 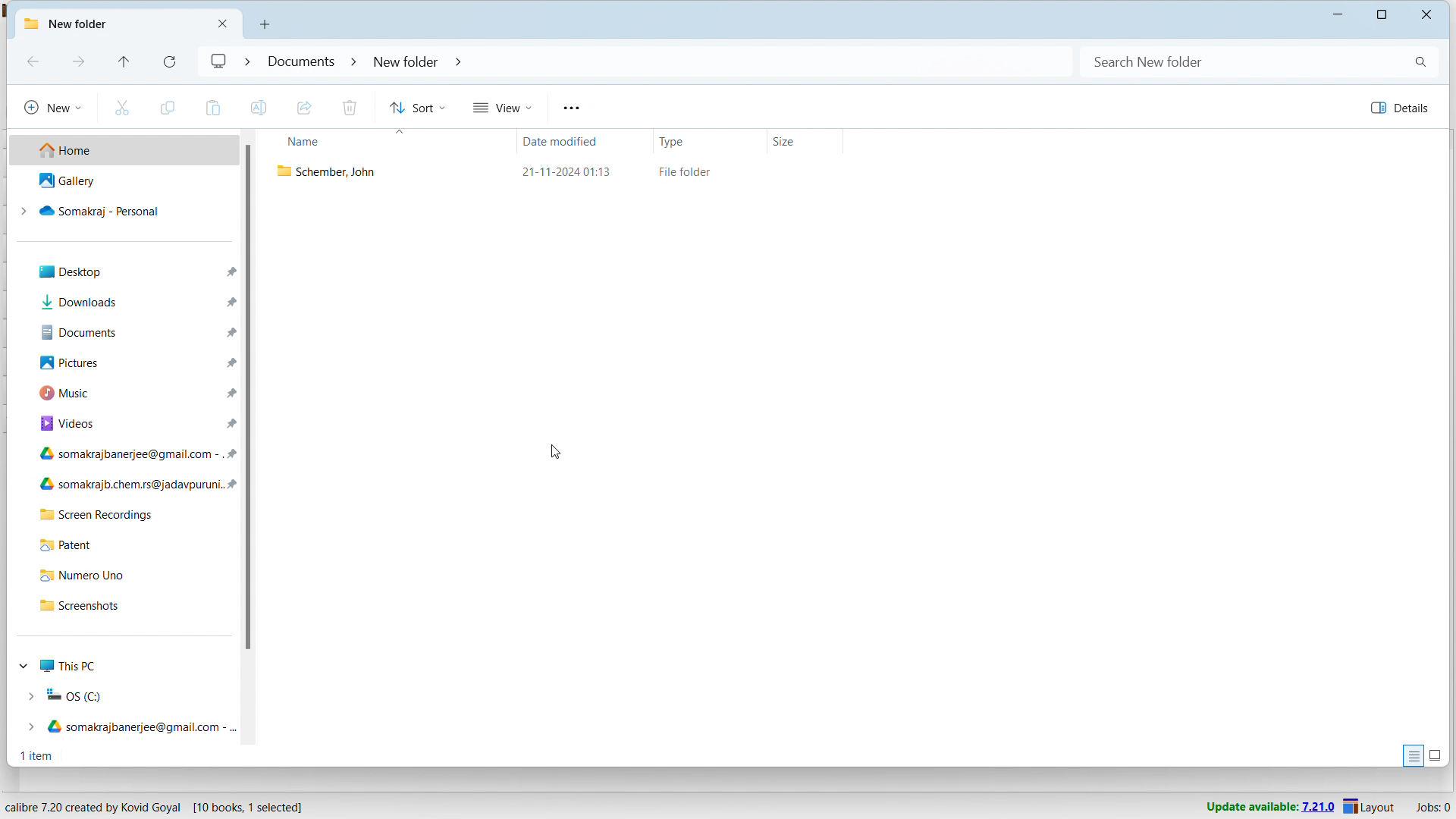 What do you see at coordinates (71, 665) in the screenshot?
I see `This PC` at bounding box center [71, 665].